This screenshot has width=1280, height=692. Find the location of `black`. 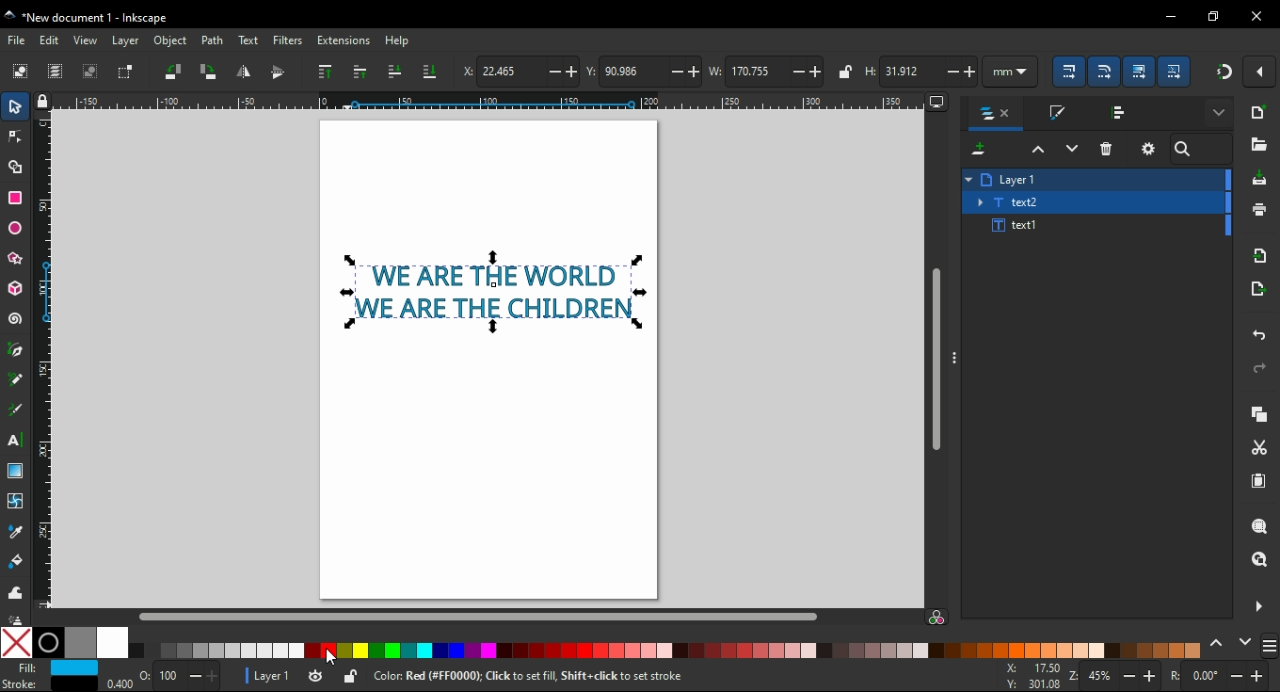

black is located at coordinates (48, 642).